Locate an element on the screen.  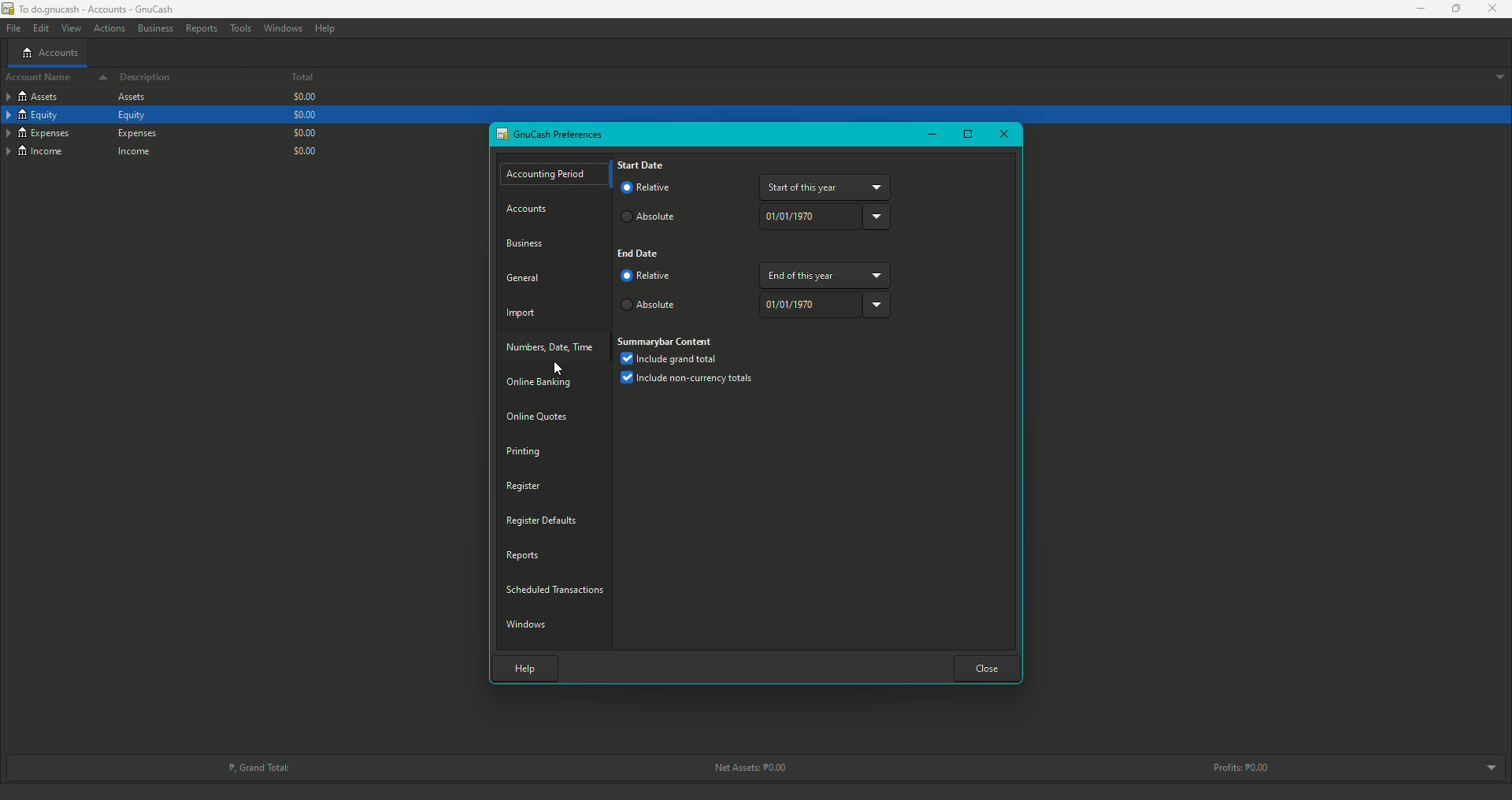
Relative is located at coordinates (651, 189).